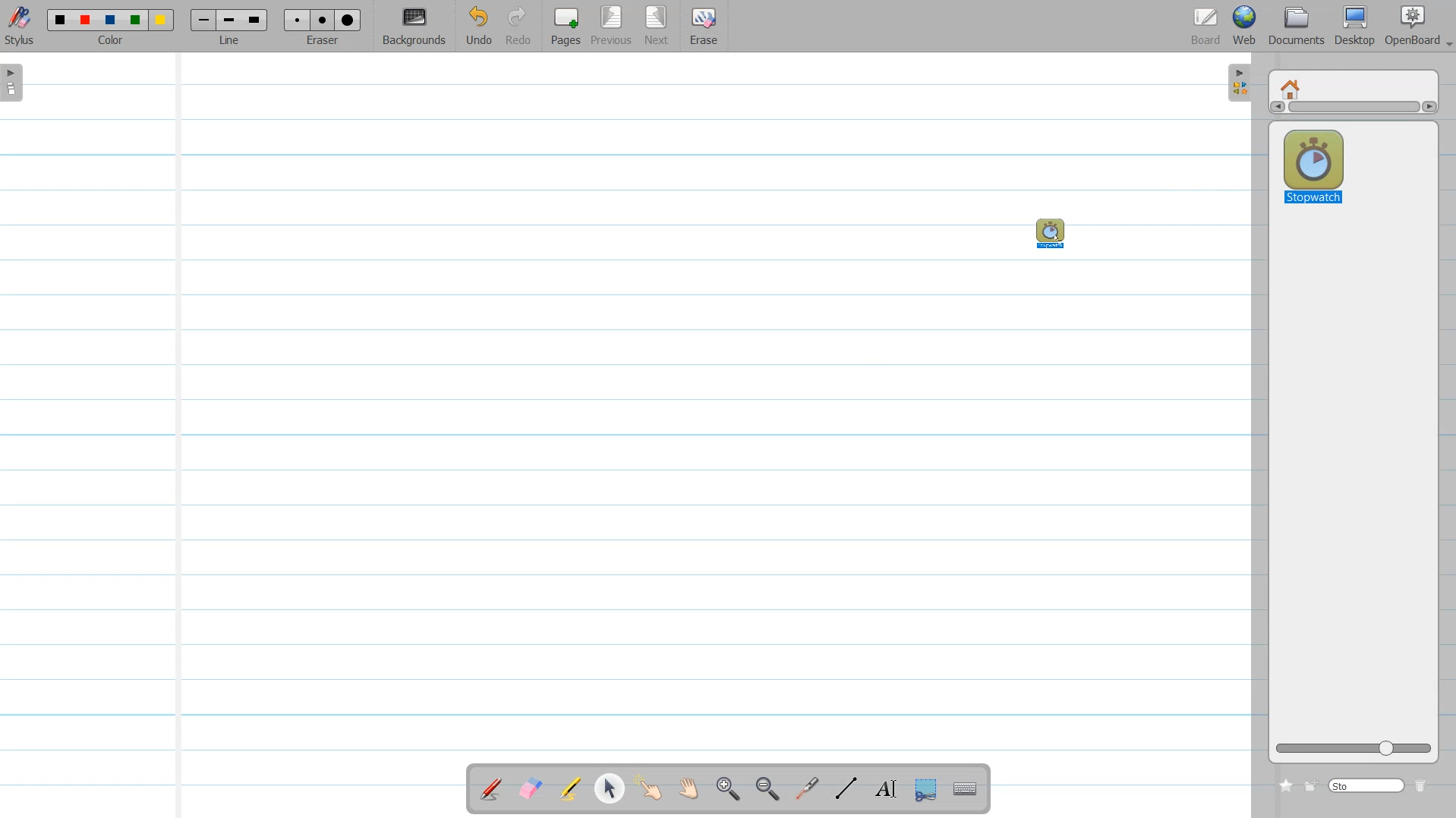 This screenshot has height=818, width=1456. I want to click on Vertical scroll bar, so click(1353, 109).